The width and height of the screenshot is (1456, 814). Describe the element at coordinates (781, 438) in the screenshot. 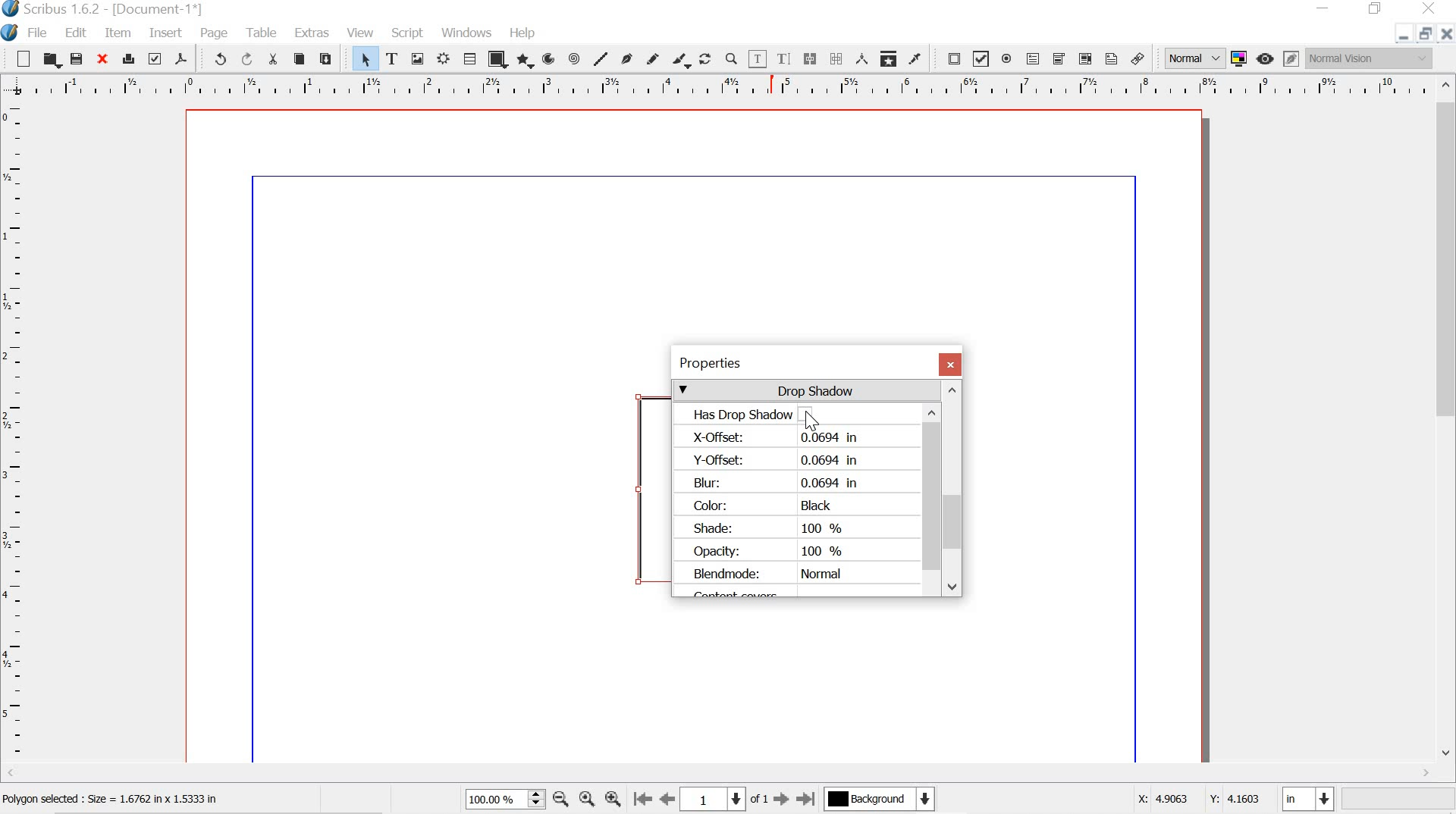

I see `X-Offset: 0.0694 in` at that location.